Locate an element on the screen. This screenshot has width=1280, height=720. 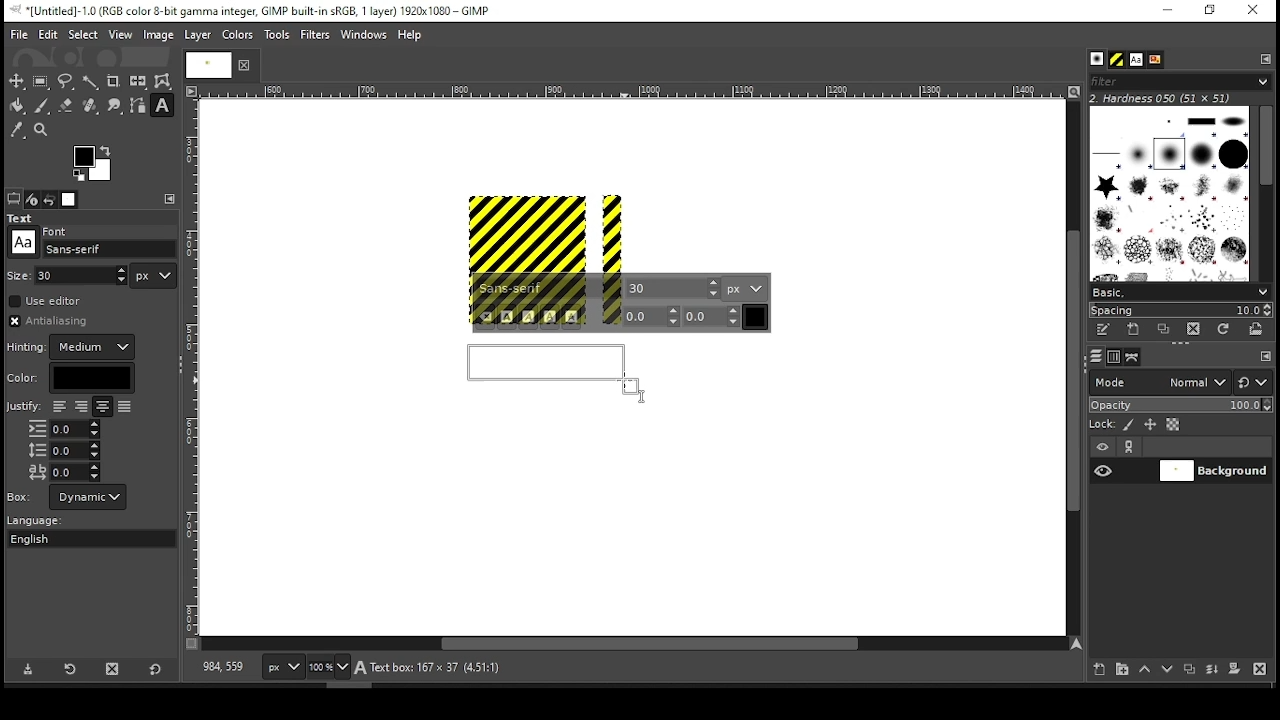
hinting is located at coordinates (73, 347).